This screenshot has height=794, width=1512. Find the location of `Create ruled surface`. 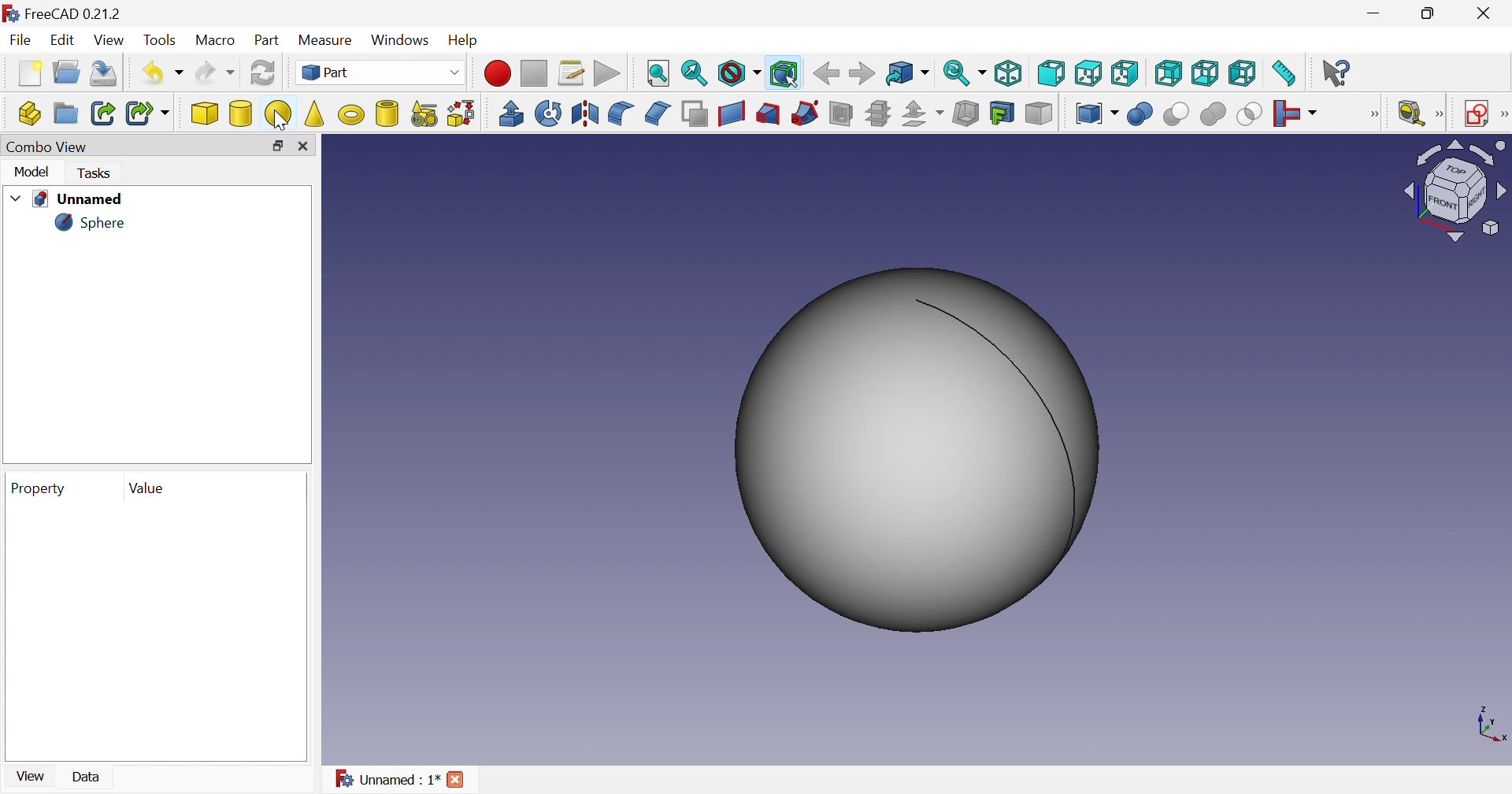

Create ruled surface is located at coordinates (732, 113).